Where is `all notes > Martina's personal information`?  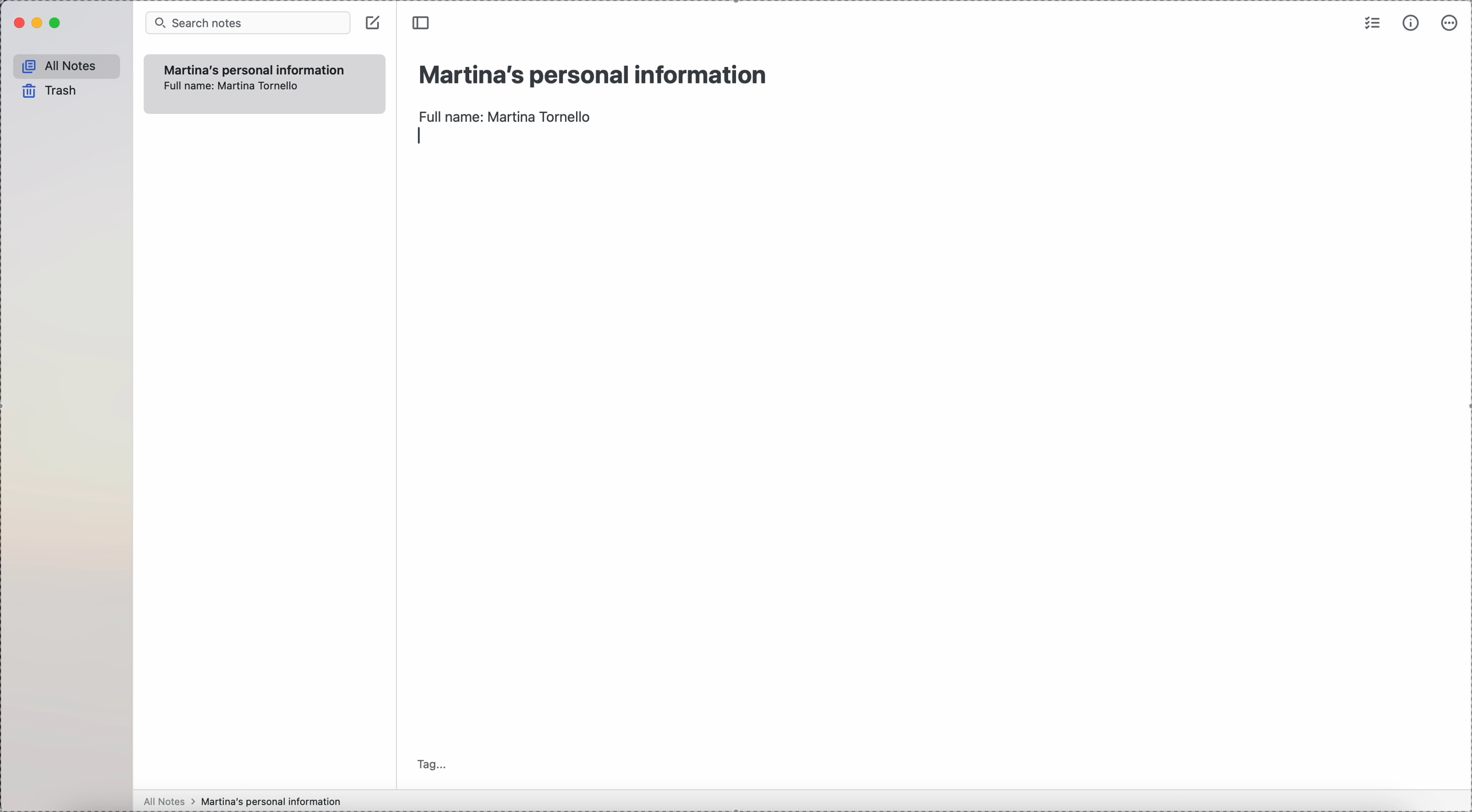
all notes > Martina's personal information is located at coordinates (238, 800).